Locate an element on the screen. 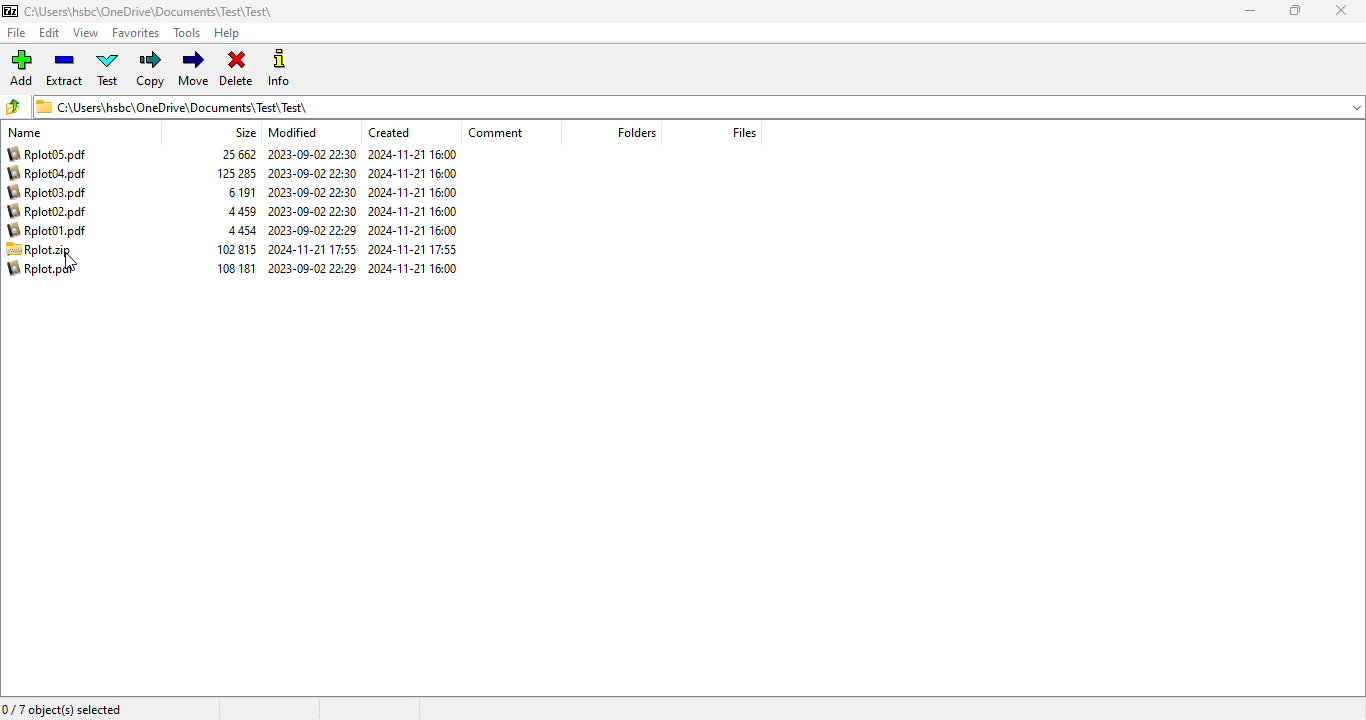 Image resolution: width=1366 pixels, height=720 pixels. tools is located at coordinates (187, 33).